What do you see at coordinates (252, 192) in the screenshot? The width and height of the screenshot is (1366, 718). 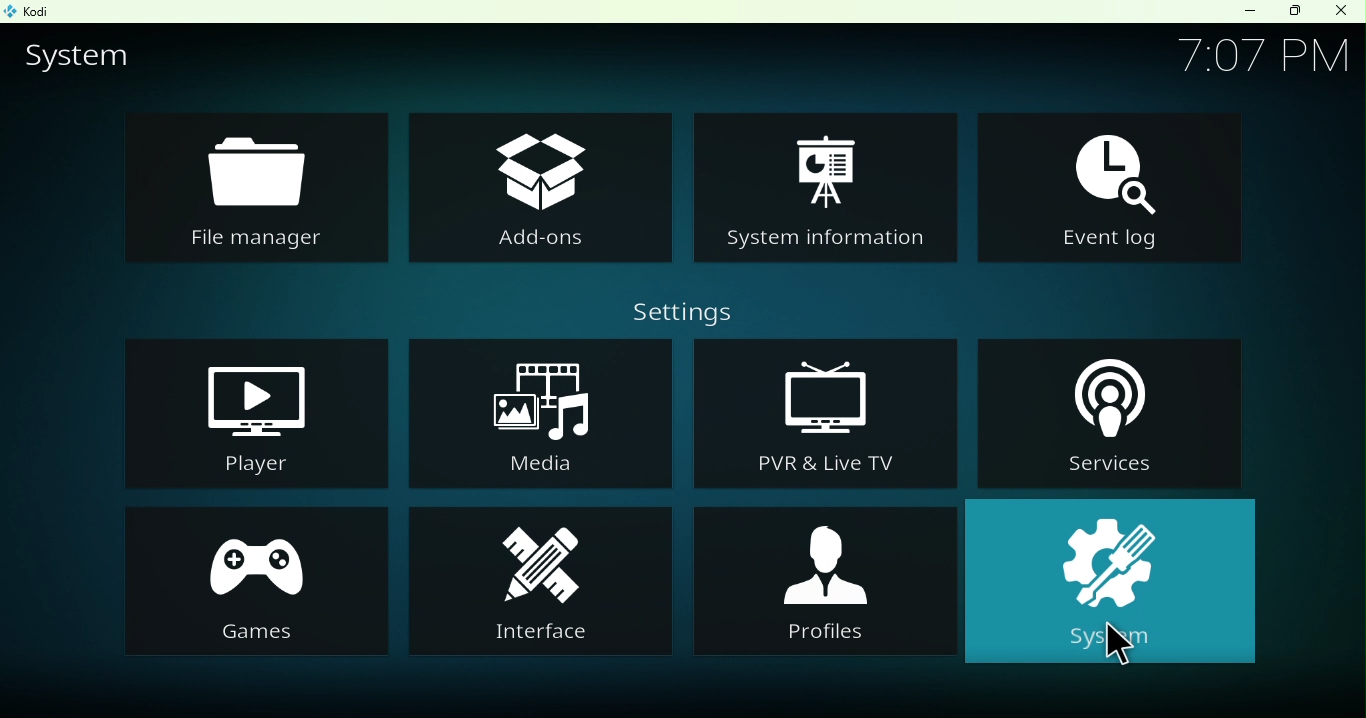 I see `File manager` at bounding box center [252, 192].